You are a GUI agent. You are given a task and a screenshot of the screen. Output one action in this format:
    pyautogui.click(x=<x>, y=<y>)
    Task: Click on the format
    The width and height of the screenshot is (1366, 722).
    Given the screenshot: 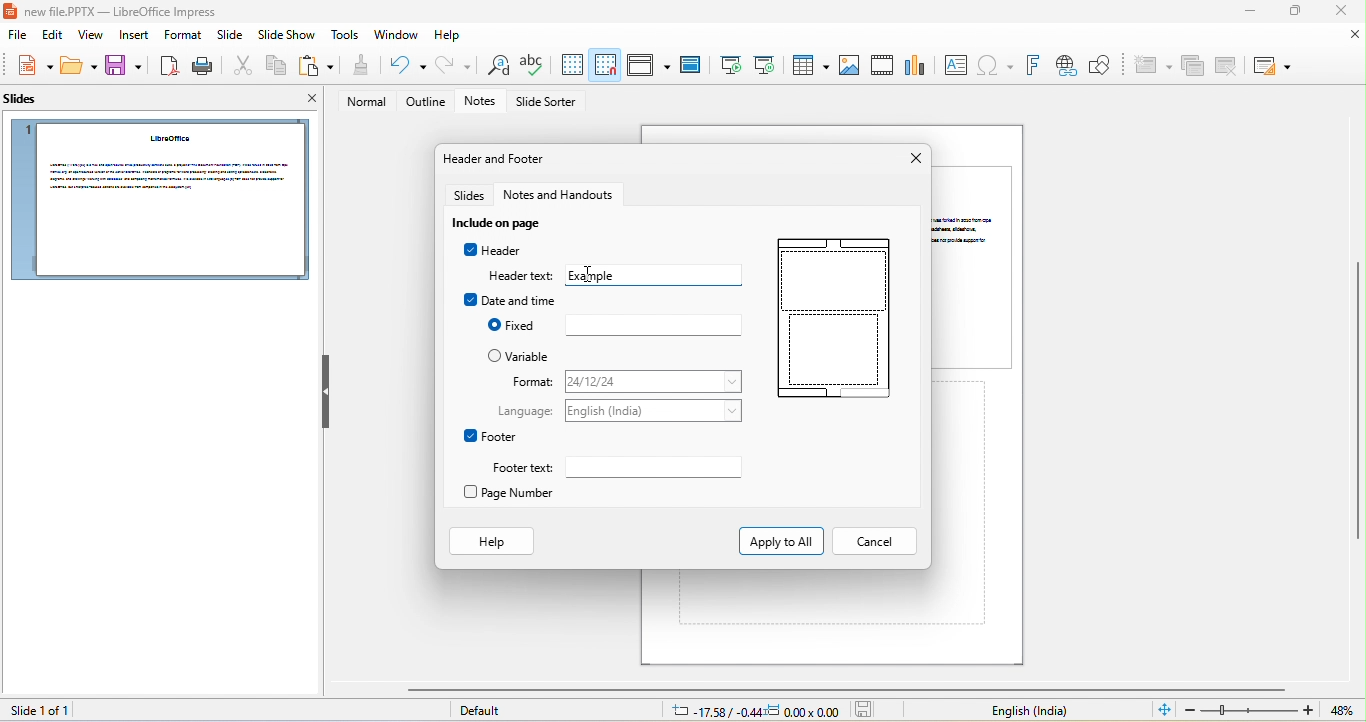 What is the action you would take?
    pyautogui.click(x=653, y=383)
    